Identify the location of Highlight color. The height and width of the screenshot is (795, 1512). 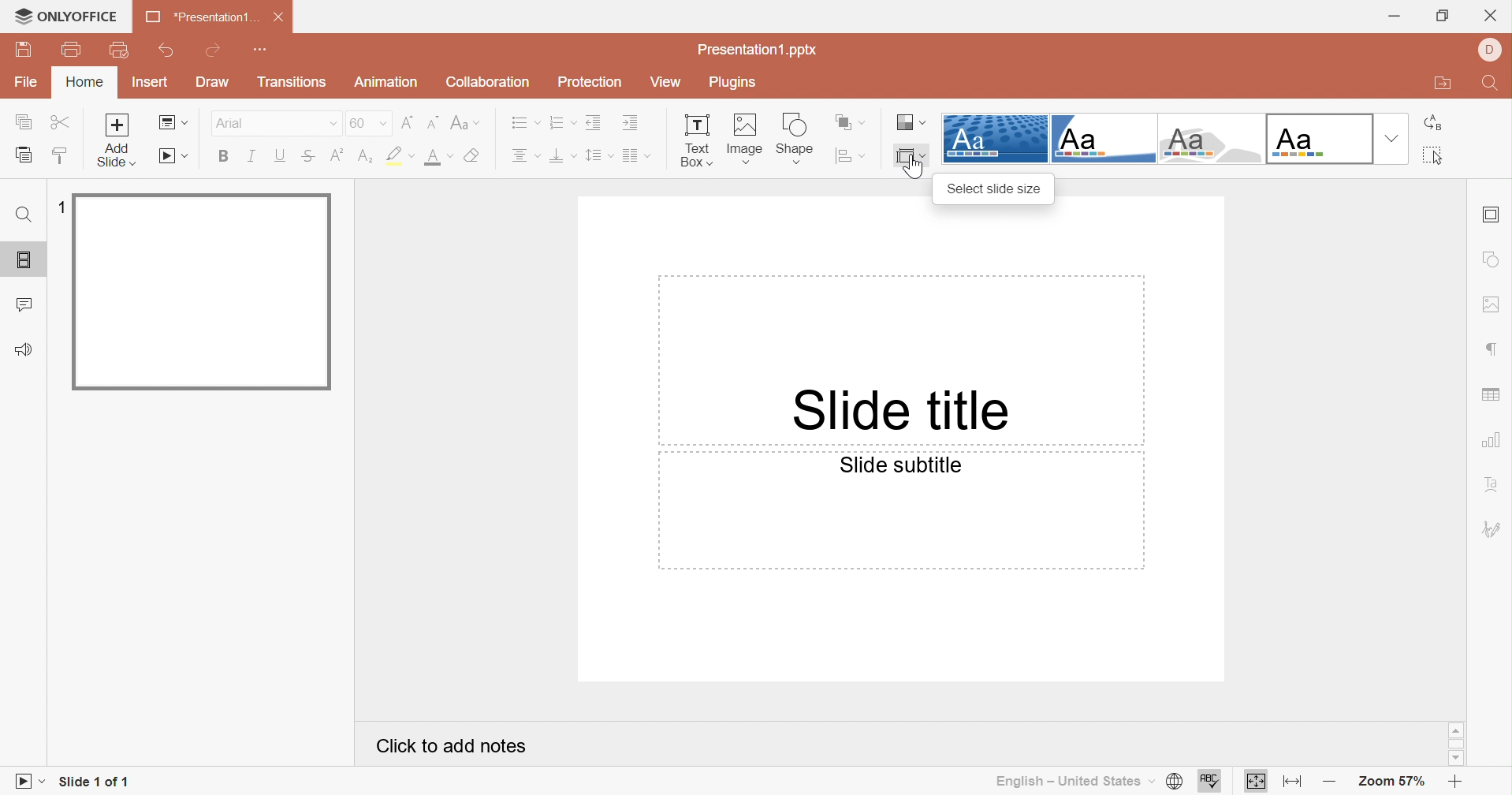
(402, 157).